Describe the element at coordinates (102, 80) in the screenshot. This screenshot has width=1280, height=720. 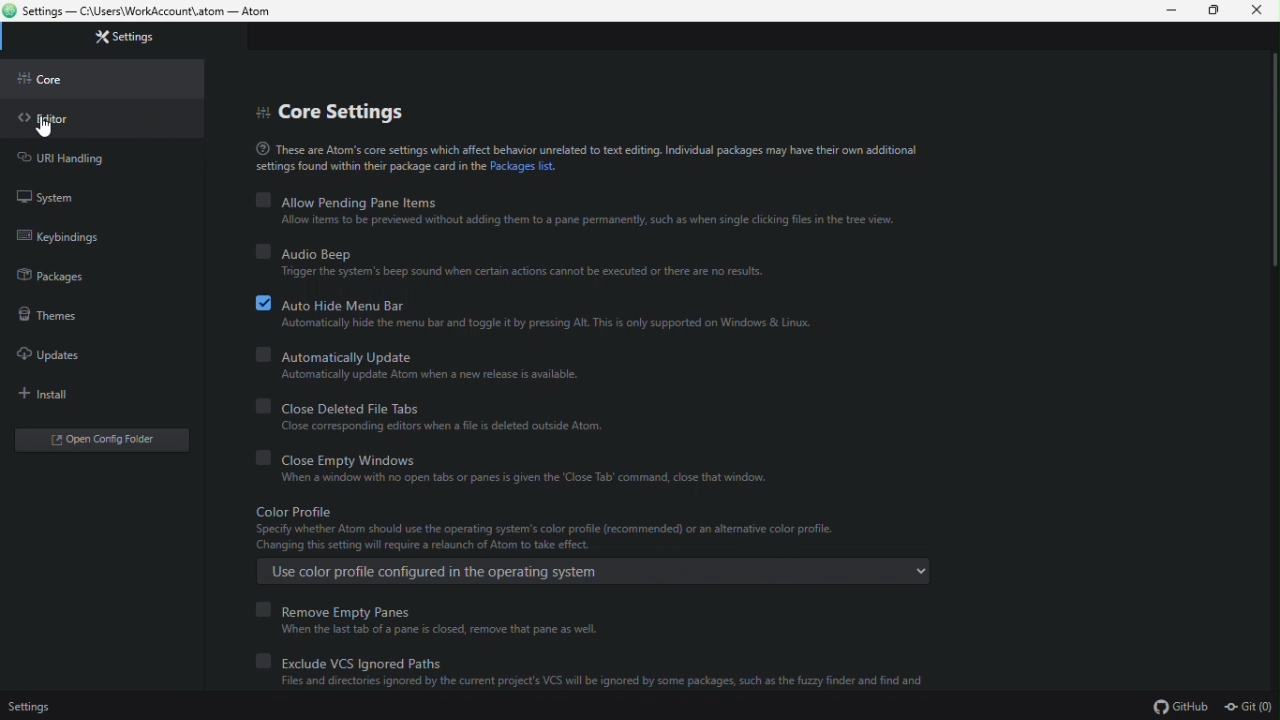
I see `core ` at that location.